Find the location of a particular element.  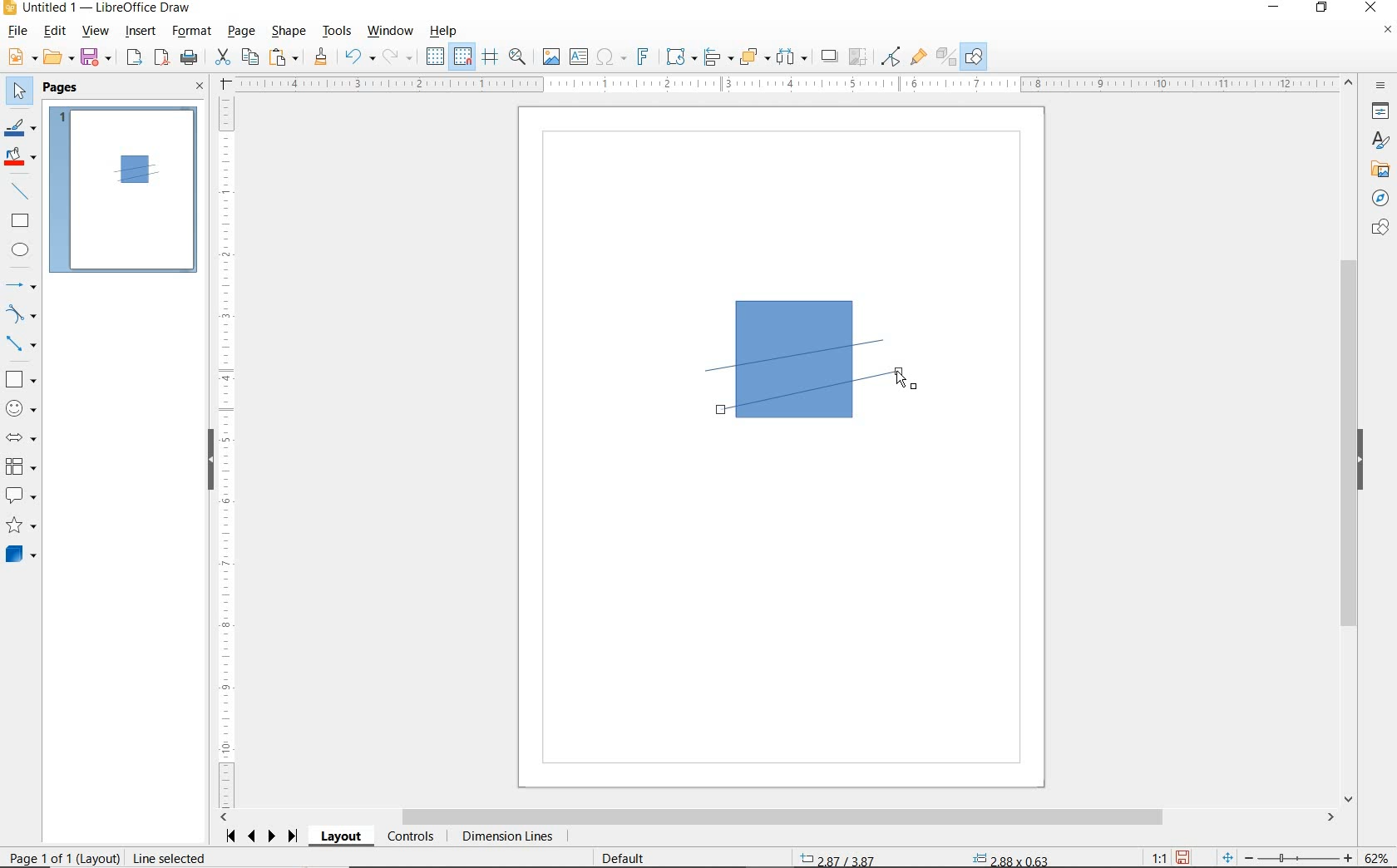

TOGGLE EXTRUSION is located at coordinates (945, 56).